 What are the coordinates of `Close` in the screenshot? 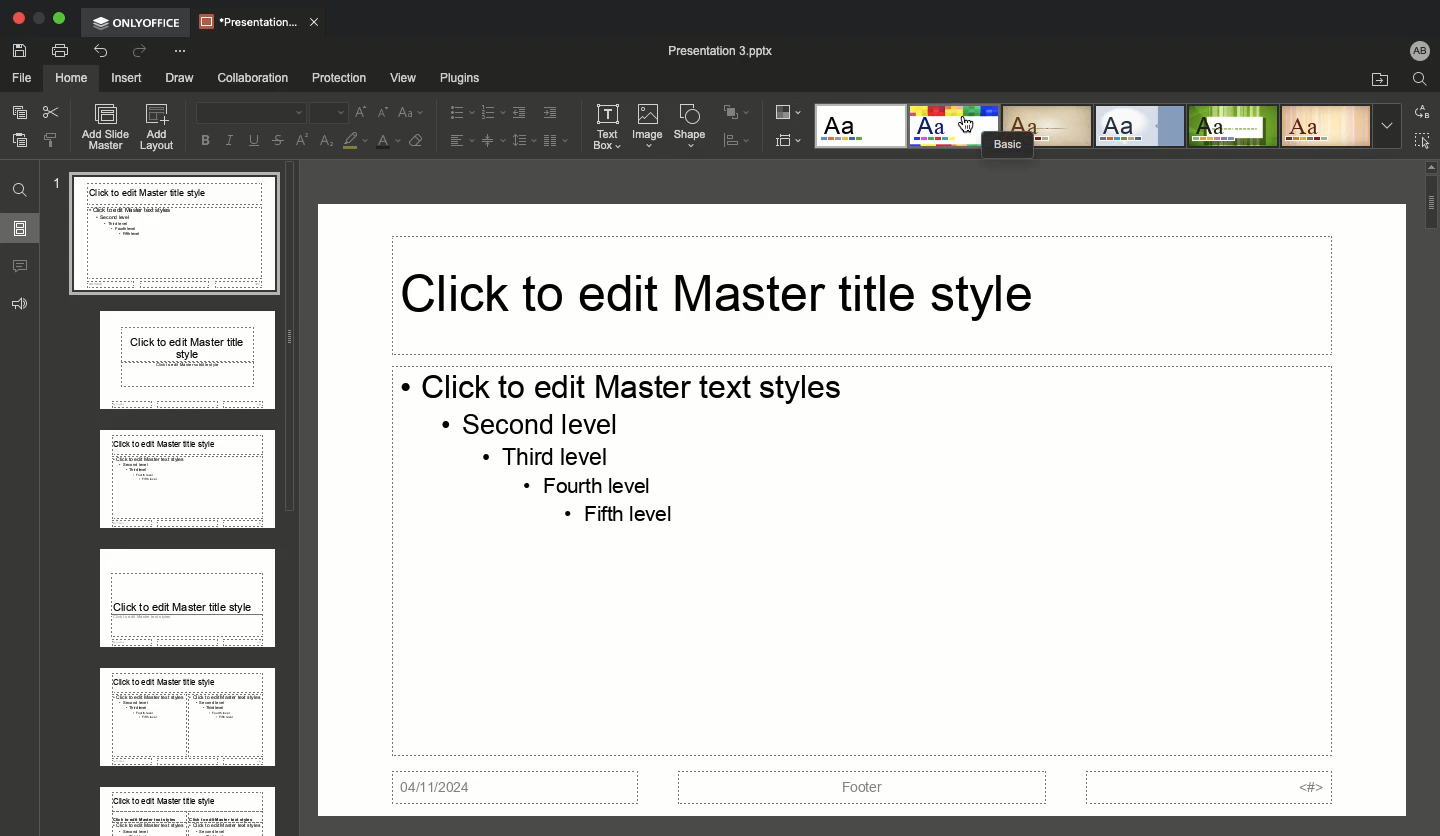 It's located at (18, 20).